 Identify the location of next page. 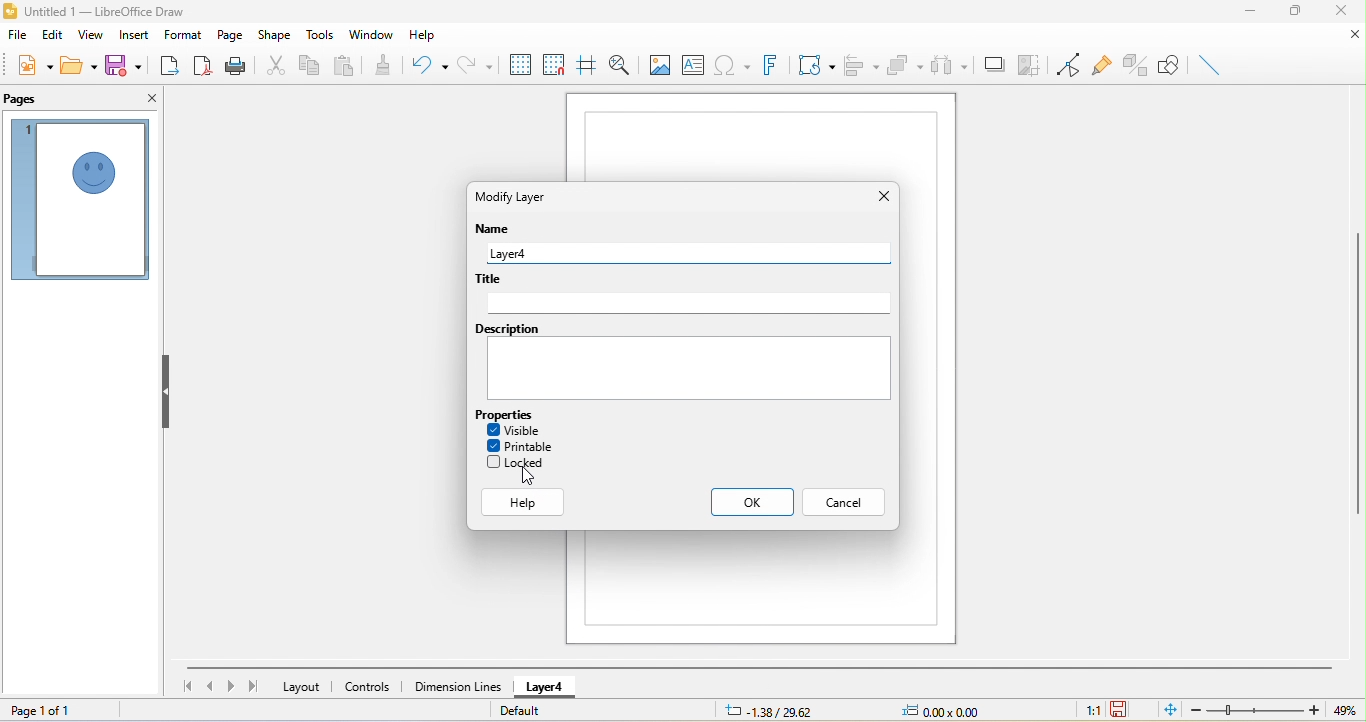
(230, 687).